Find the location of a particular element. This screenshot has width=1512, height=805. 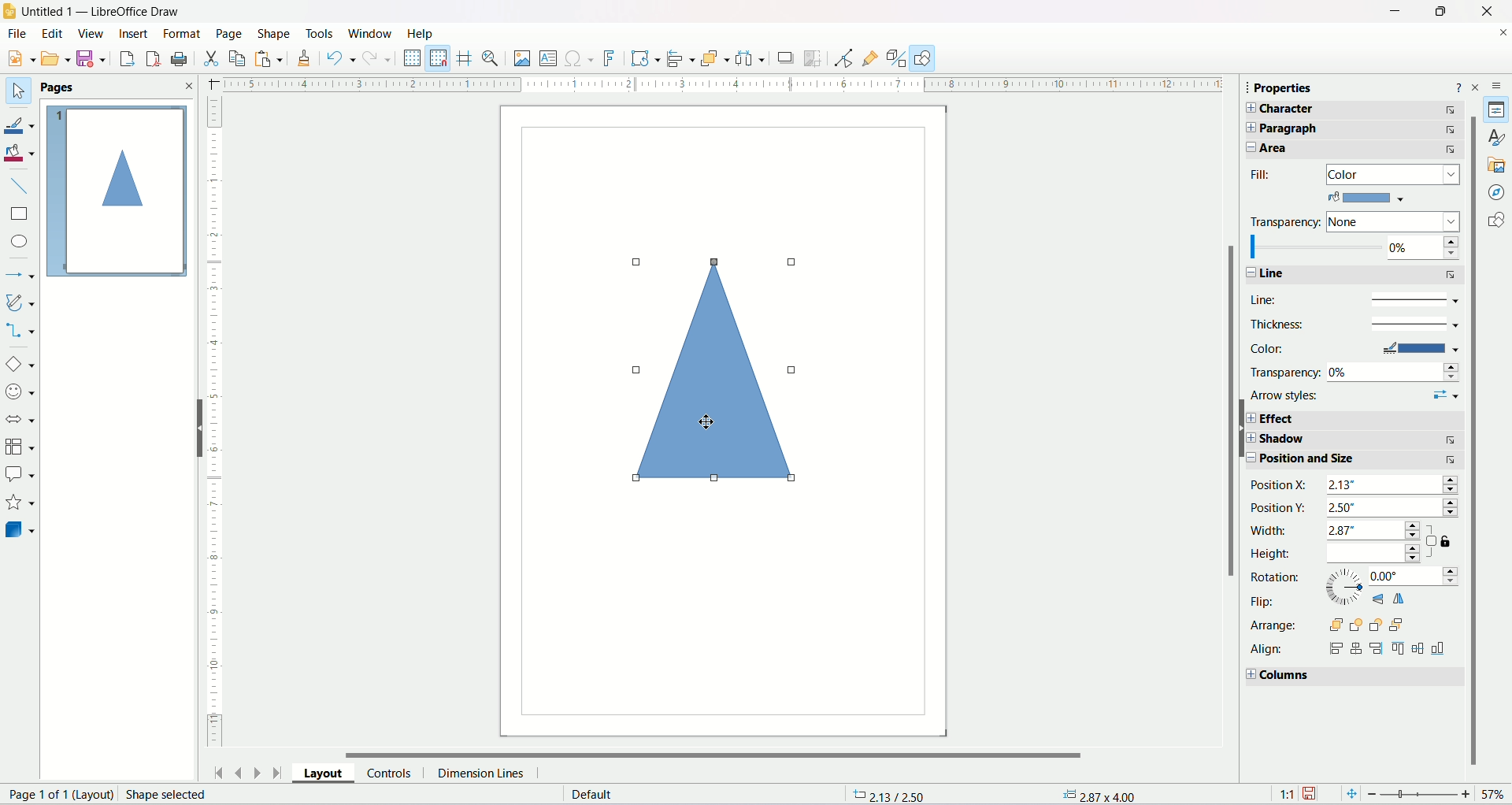

Cursor is located at coordinates (709, 421).